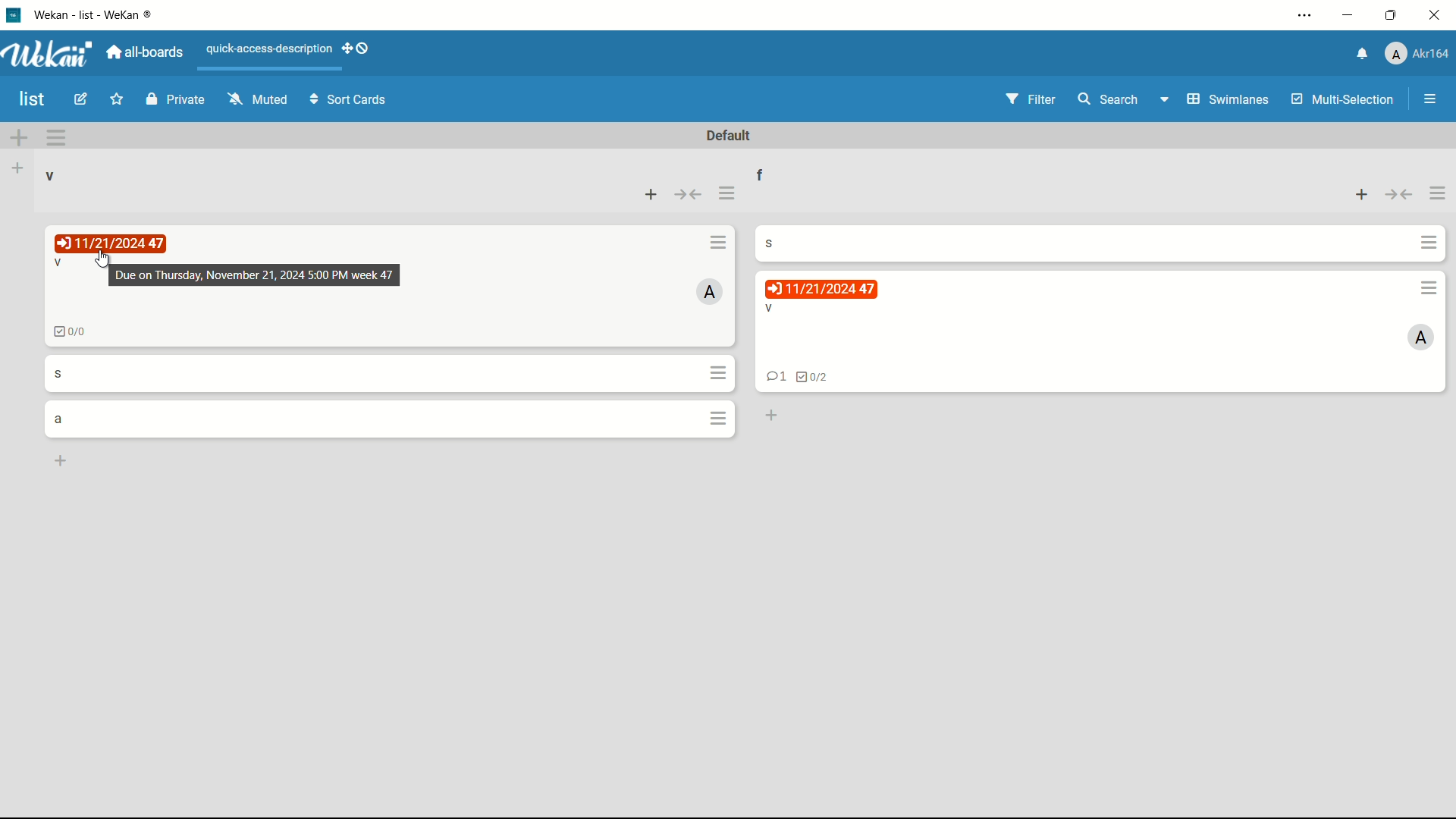 This screenshot has width=1456, height=819. I want to click on swimlanes, so click(1216, 99).